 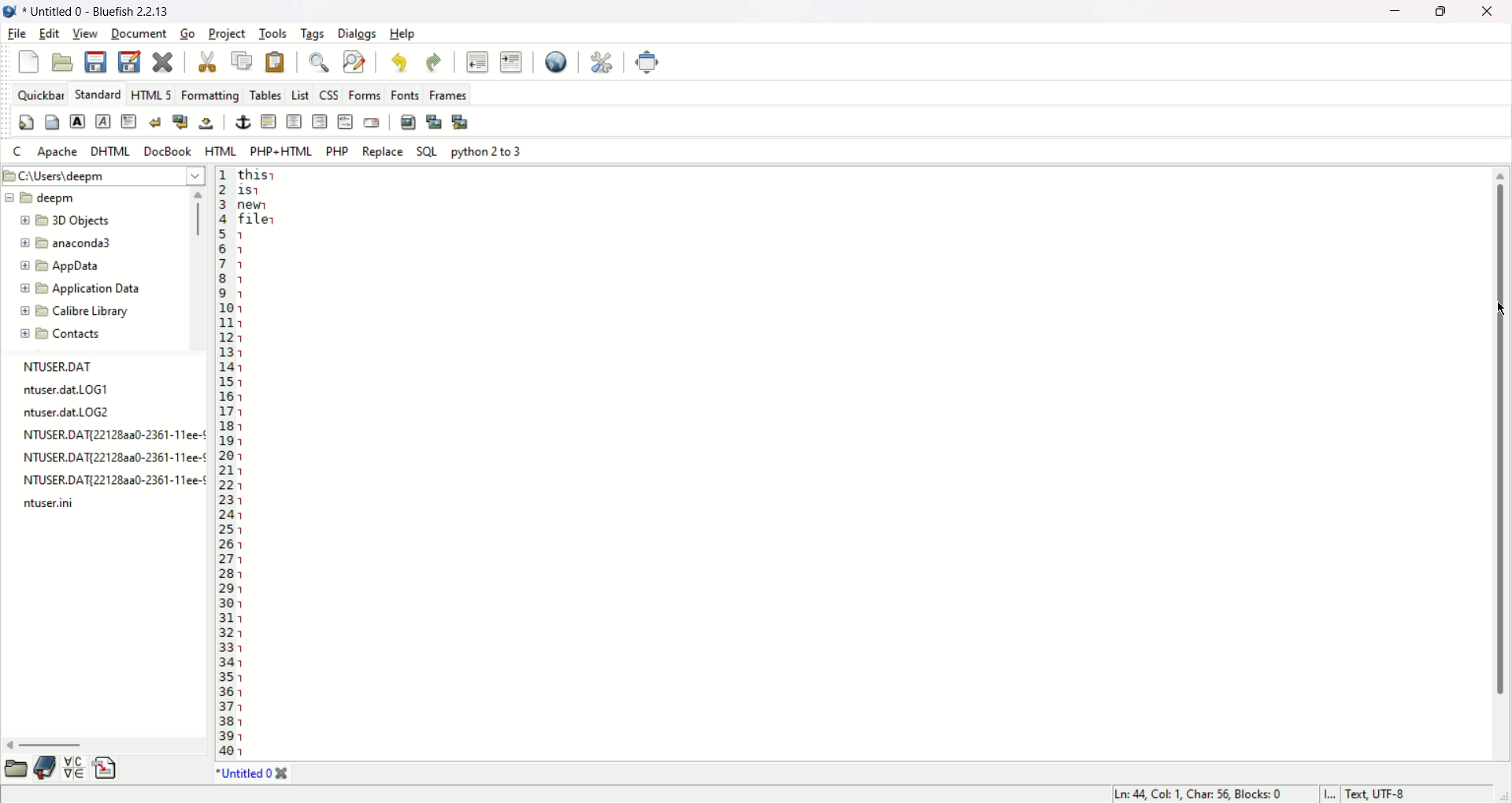 I want to click on unindent, so click(x=476, y=62).